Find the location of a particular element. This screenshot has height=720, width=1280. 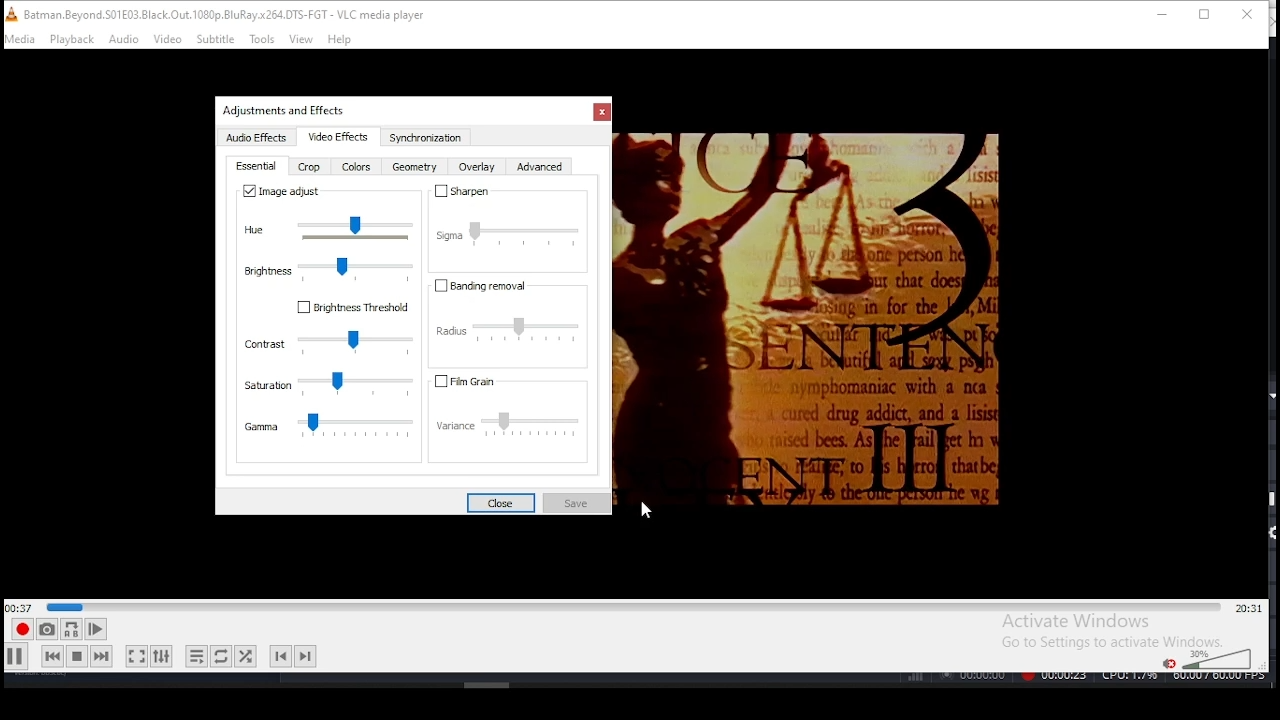

essential is located at coordinates (258, 167).